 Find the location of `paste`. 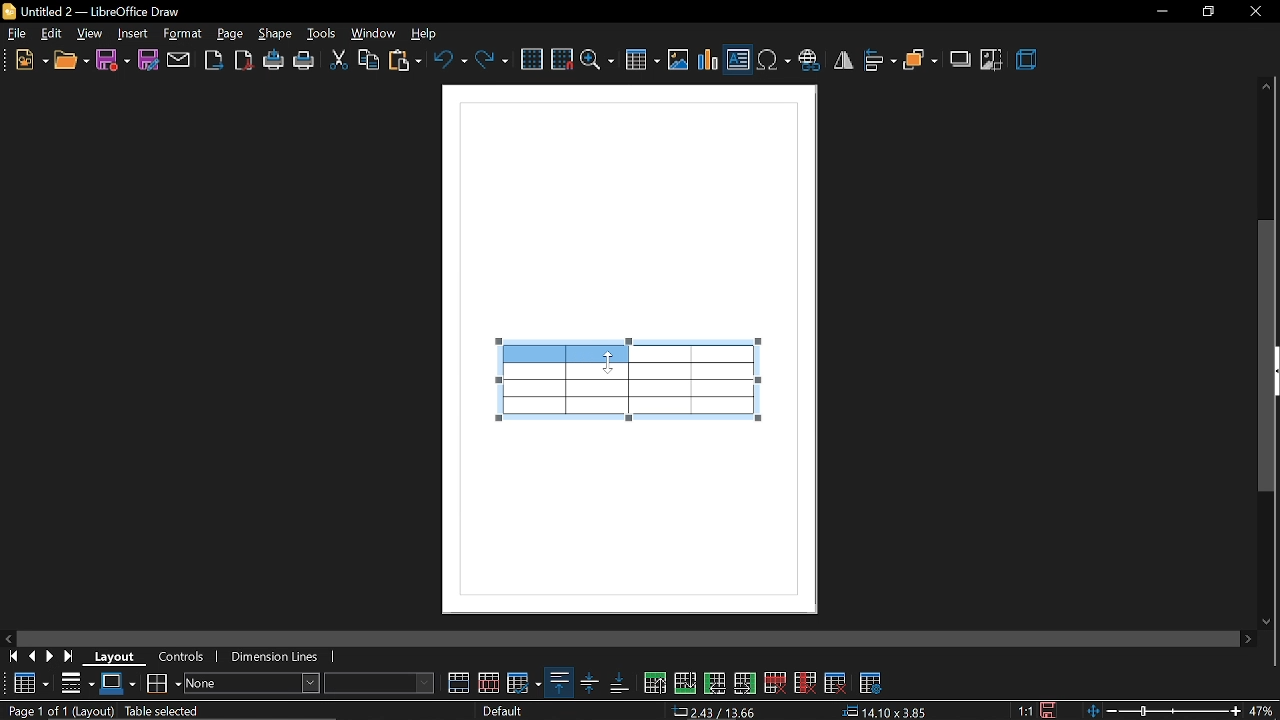

paste is located at coordinates (406, 60).